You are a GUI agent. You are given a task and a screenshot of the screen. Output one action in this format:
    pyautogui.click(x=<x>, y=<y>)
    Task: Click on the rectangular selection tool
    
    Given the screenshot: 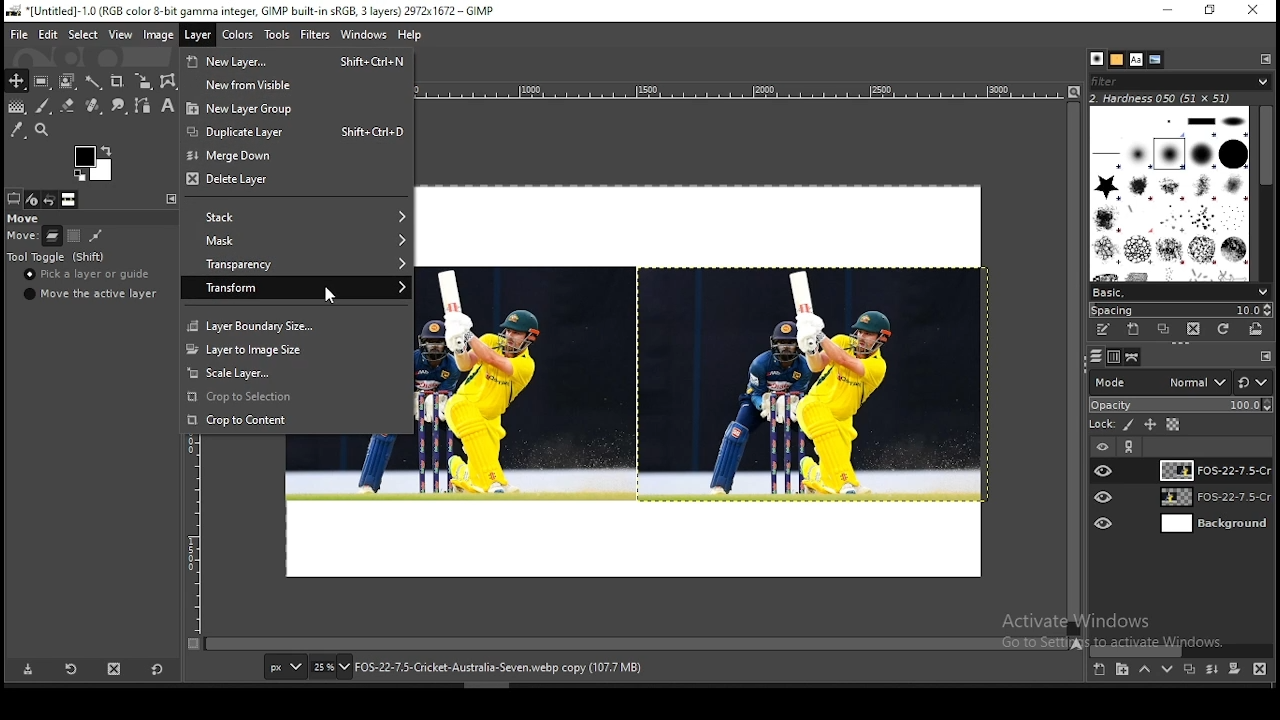 What is the action you would take?
    pyautogui.click(x=40, y=81)
    